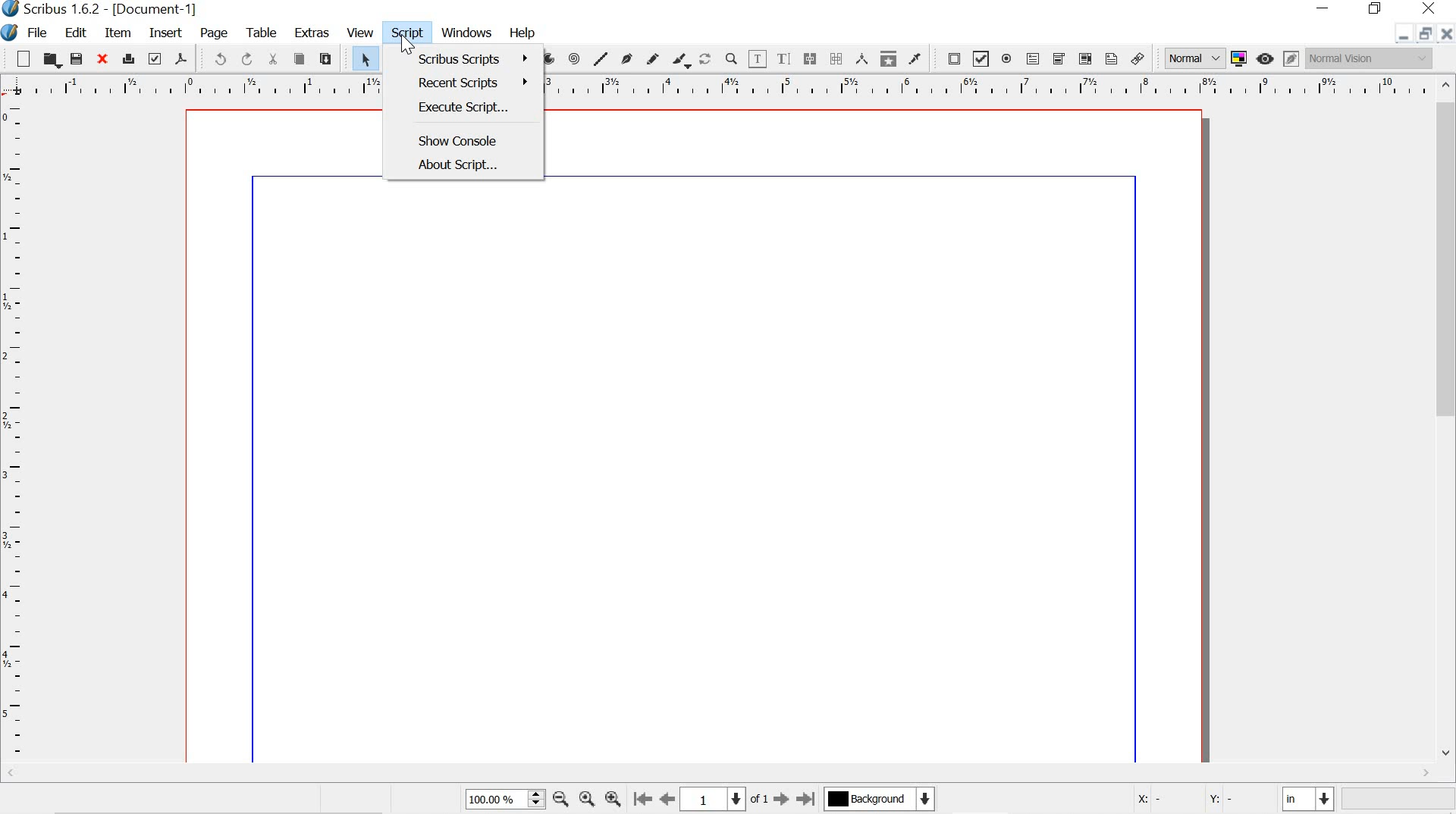  What do you see at coordinates (248, 59) in the screenshot?
I see `redo` at bounding box center [248, 59].